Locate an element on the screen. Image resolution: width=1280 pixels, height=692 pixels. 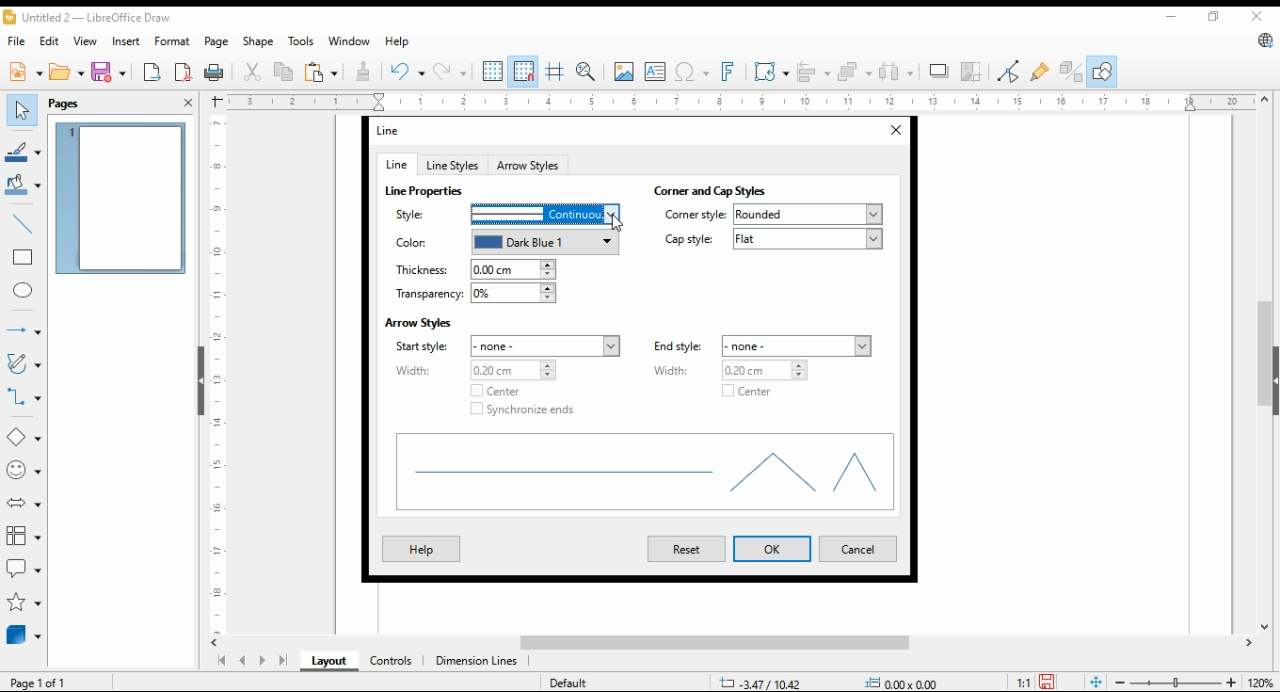
toggle extrusions is located at coordinates (1071, 72).